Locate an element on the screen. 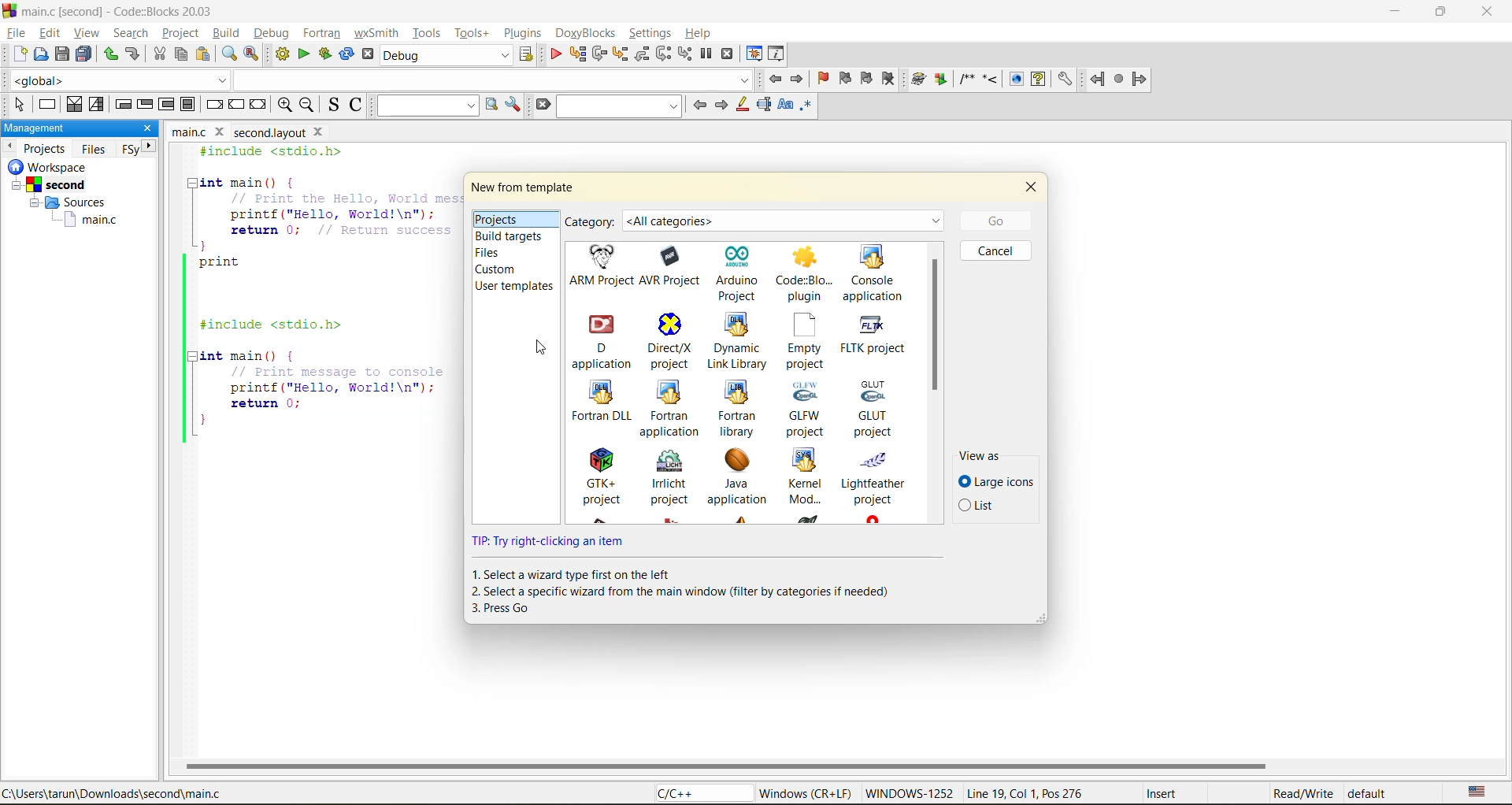 This screenshot has height=805, width=1512. new from template is located at coordinates (524, 189).